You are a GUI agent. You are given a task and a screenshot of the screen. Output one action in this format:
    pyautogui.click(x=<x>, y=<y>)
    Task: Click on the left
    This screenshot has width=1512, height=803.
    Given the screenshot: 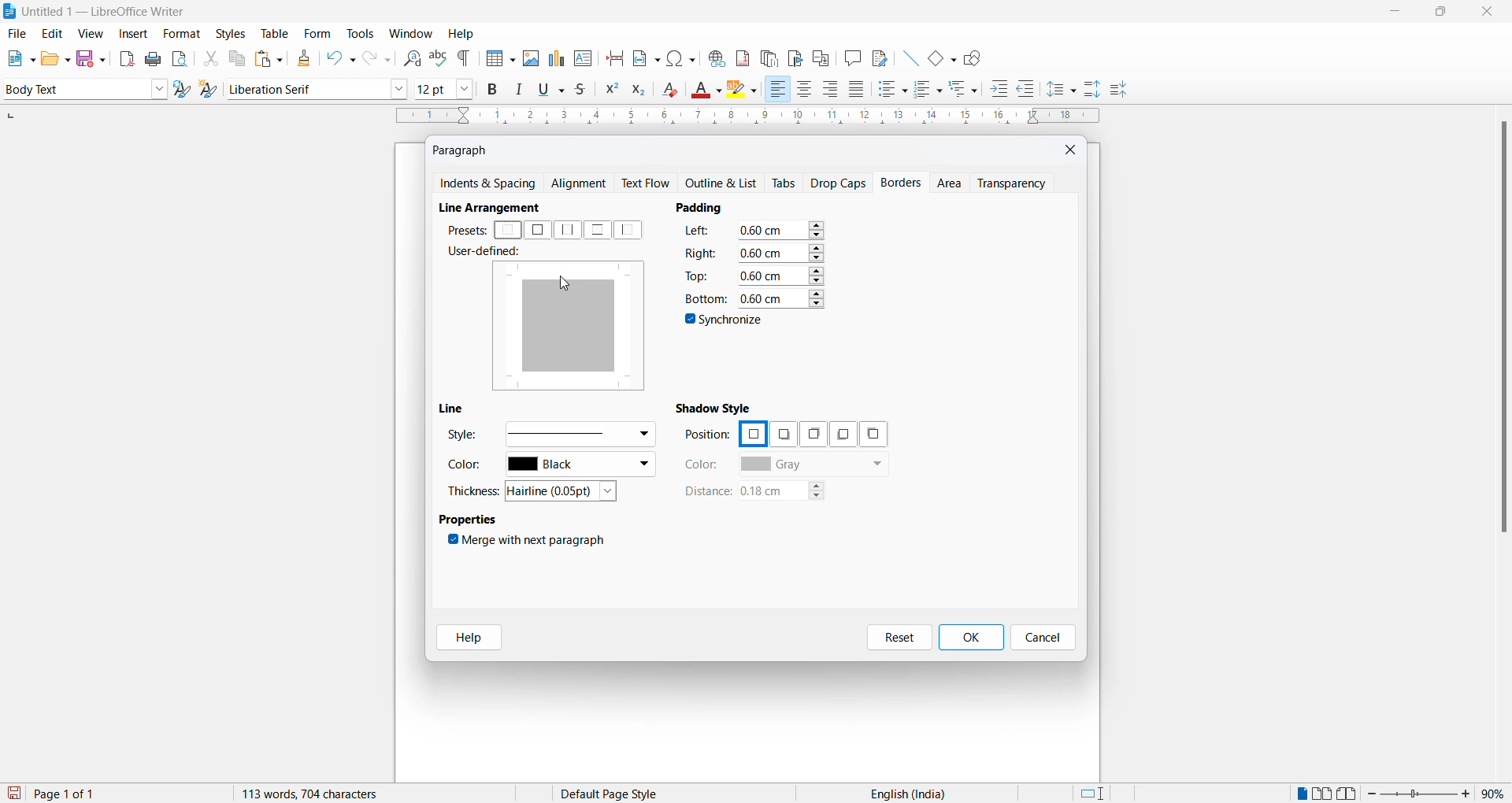 What is the action you would take?
    pyautogui.click(x=632, y=230)
    